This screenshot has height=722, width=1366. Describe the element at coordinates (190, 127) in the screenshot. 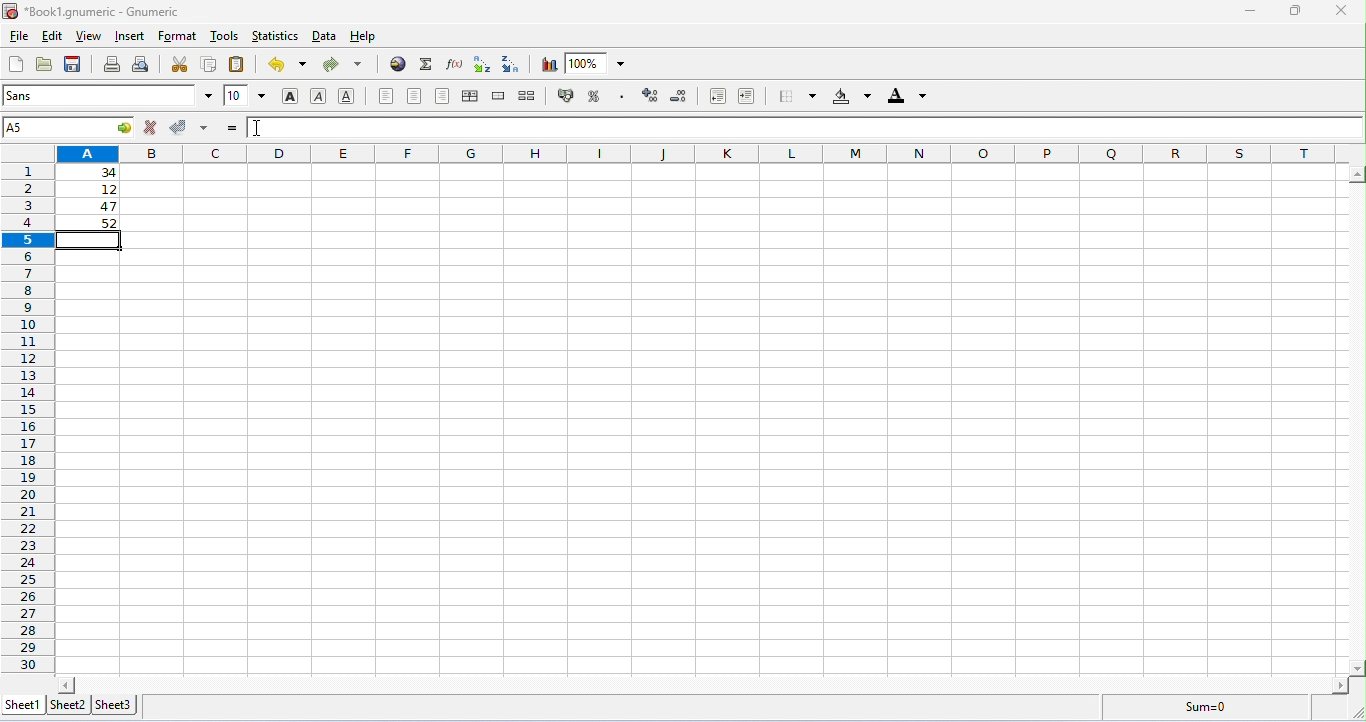

I see `accept` at that location.